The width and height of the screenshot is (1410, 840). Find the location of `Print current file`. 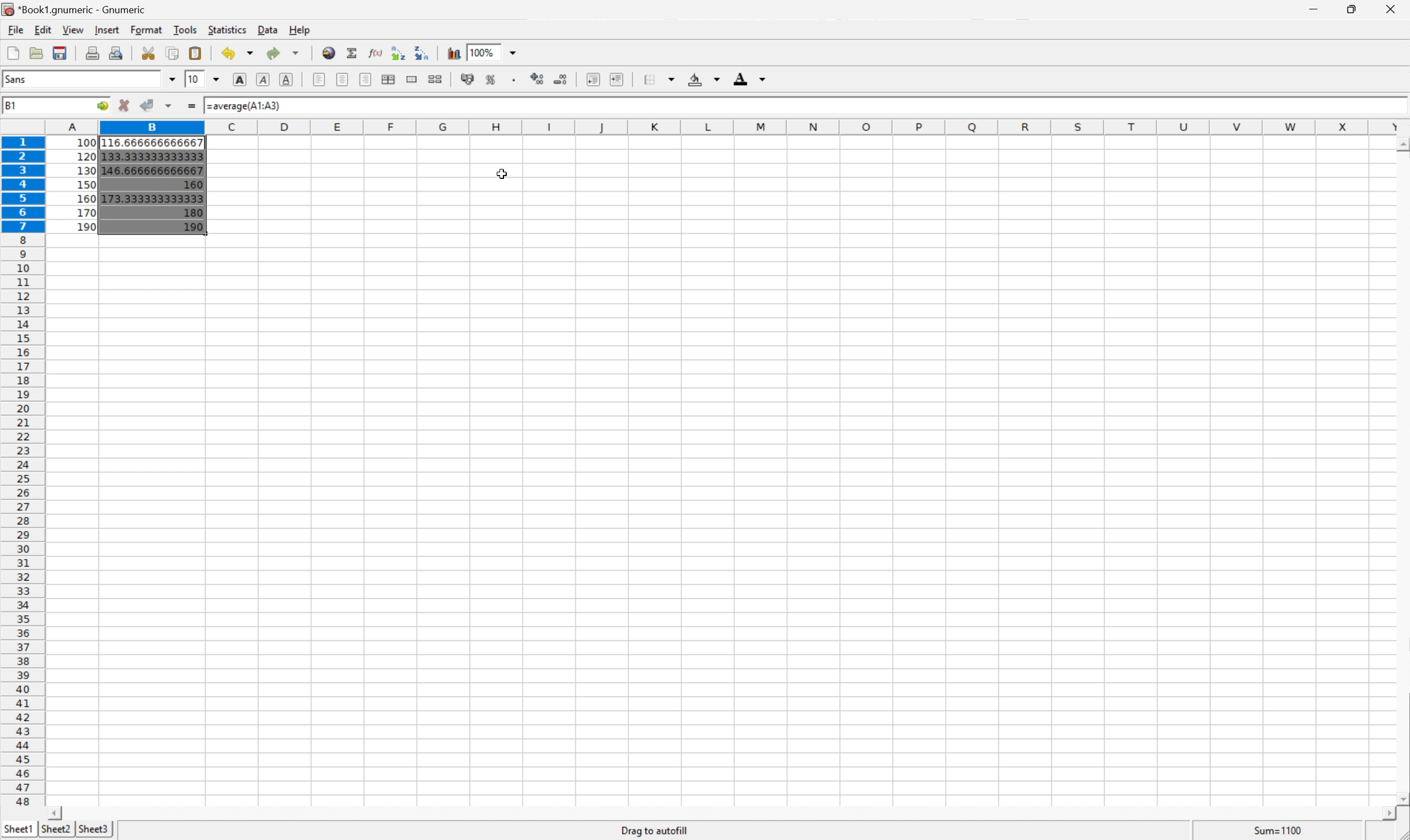

Print current file is located at coordinates (93, 52).